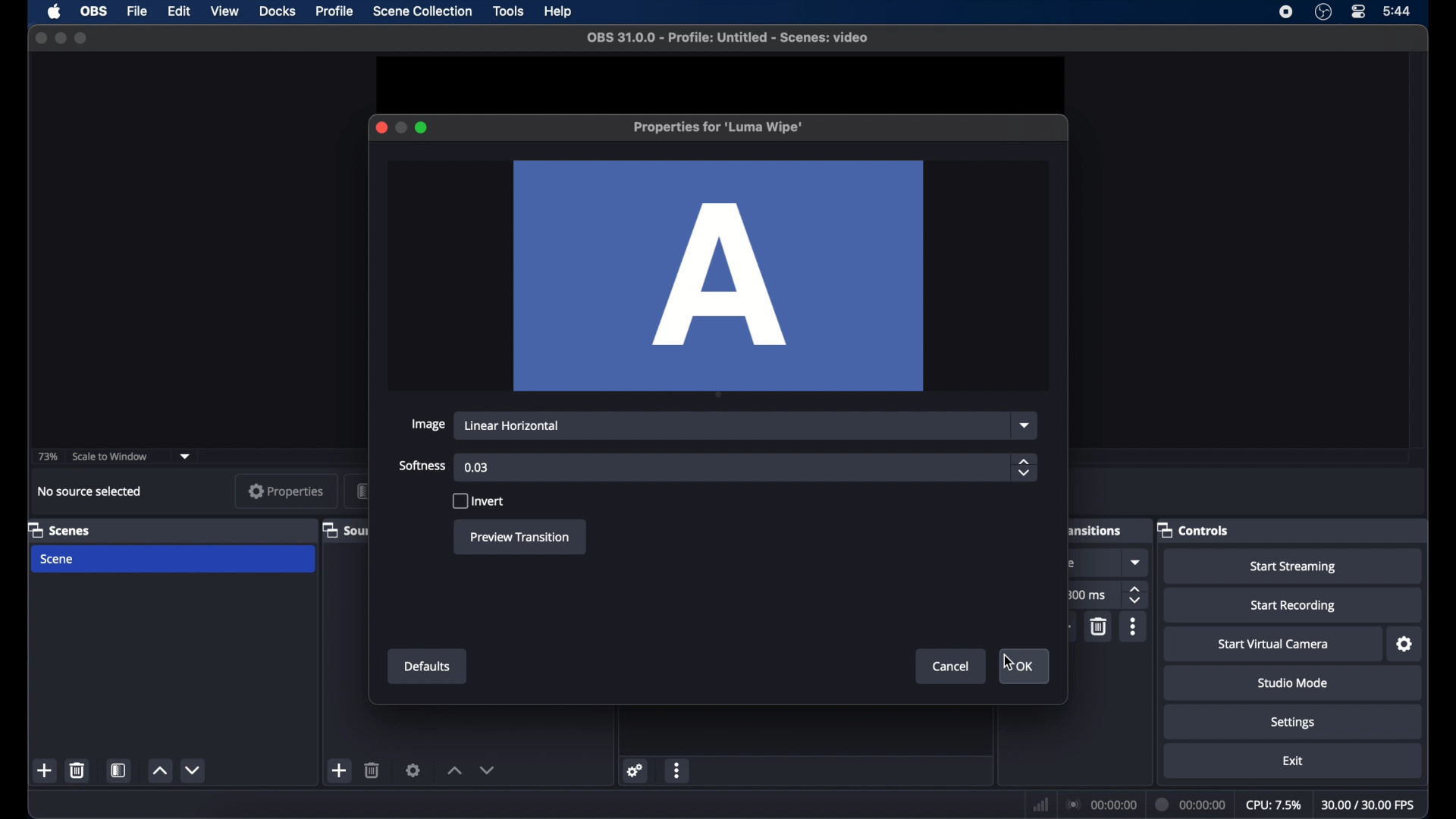  I want to click on add, so click(45, 770).